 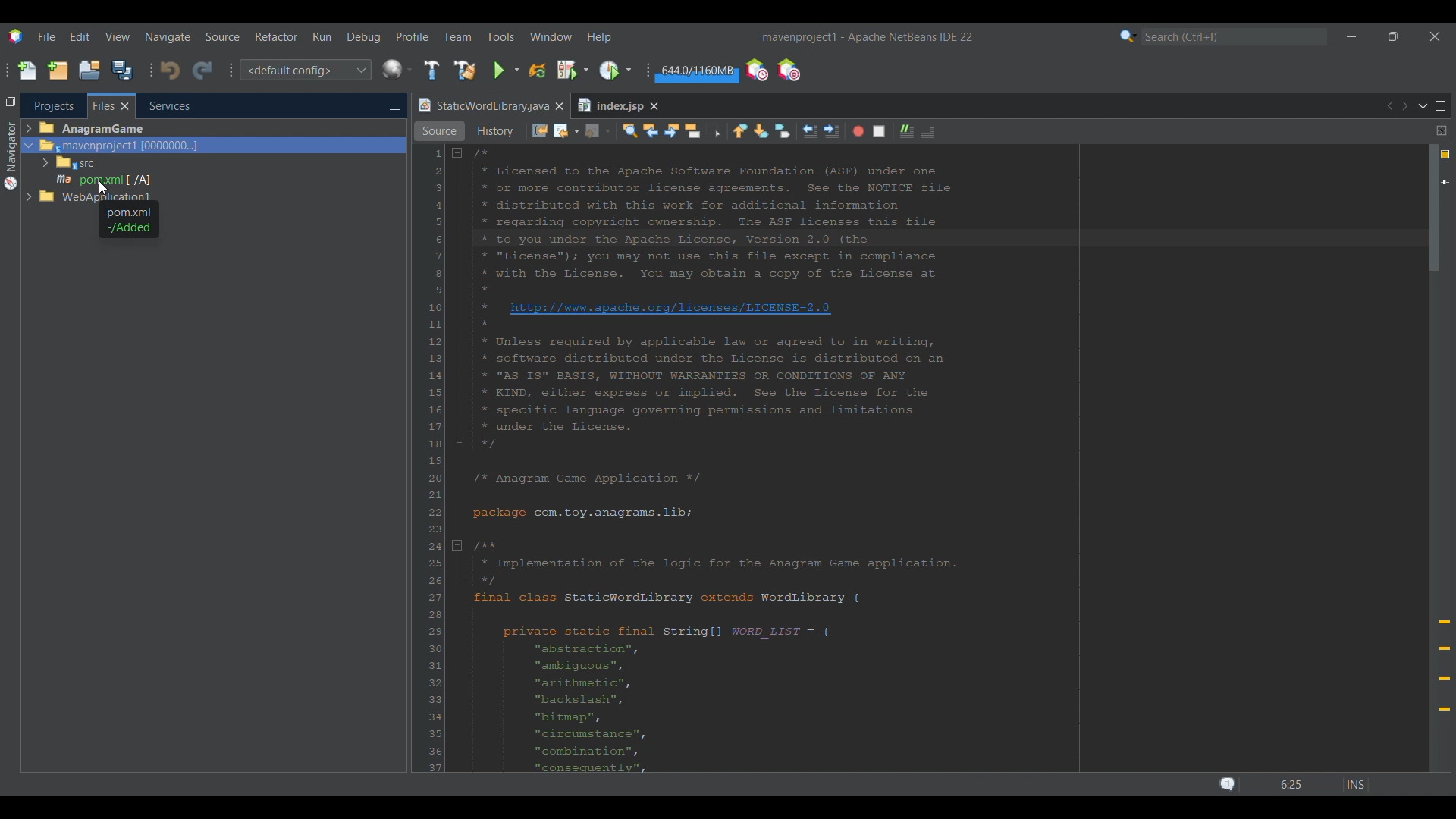 What do you see at coordinates (457, 36) in the screenshot?
I see `Team menu` at bounding box center [457, 36].